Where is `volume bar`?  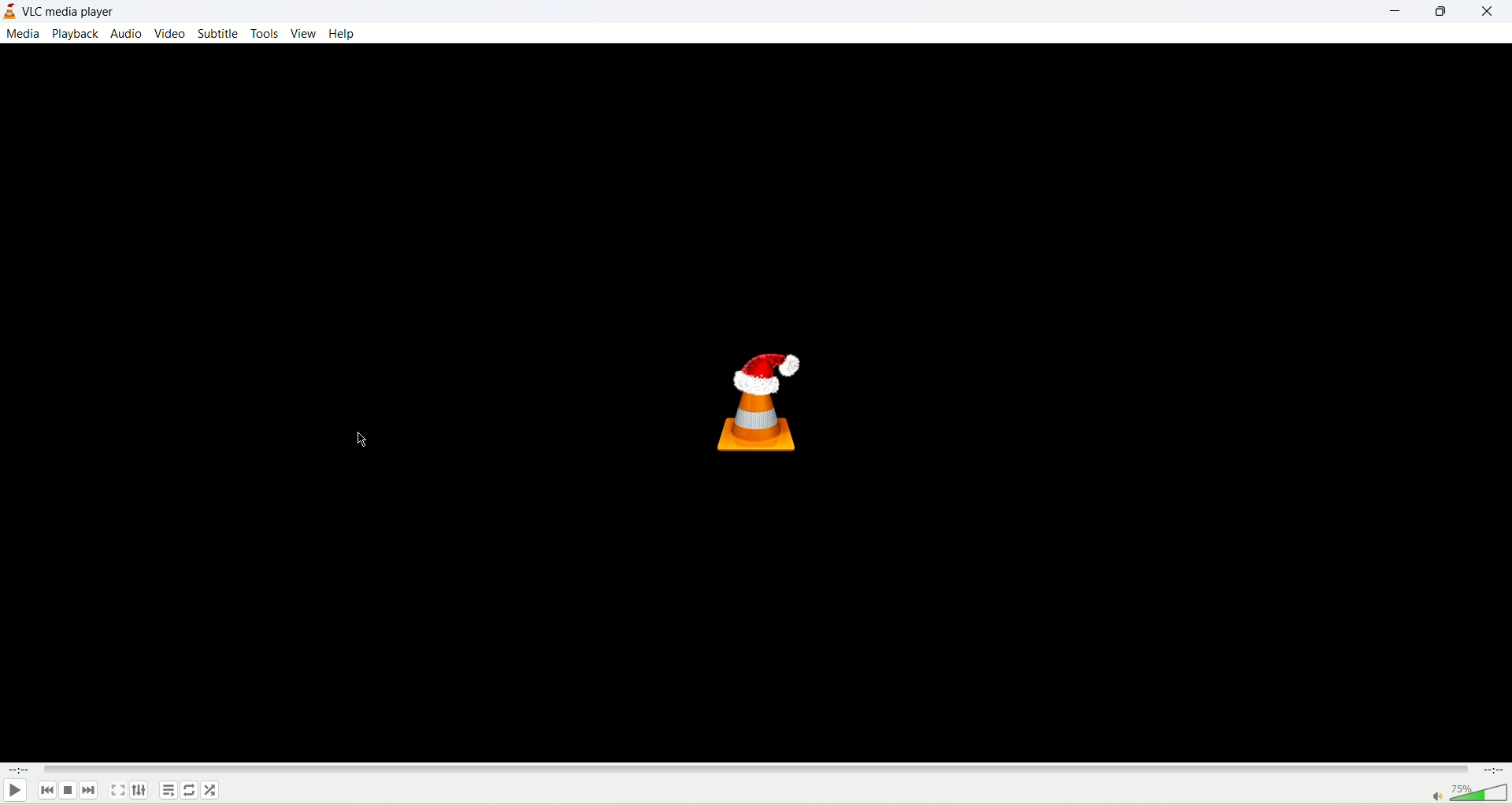 volume bar is located at coordinates (1469, 792).